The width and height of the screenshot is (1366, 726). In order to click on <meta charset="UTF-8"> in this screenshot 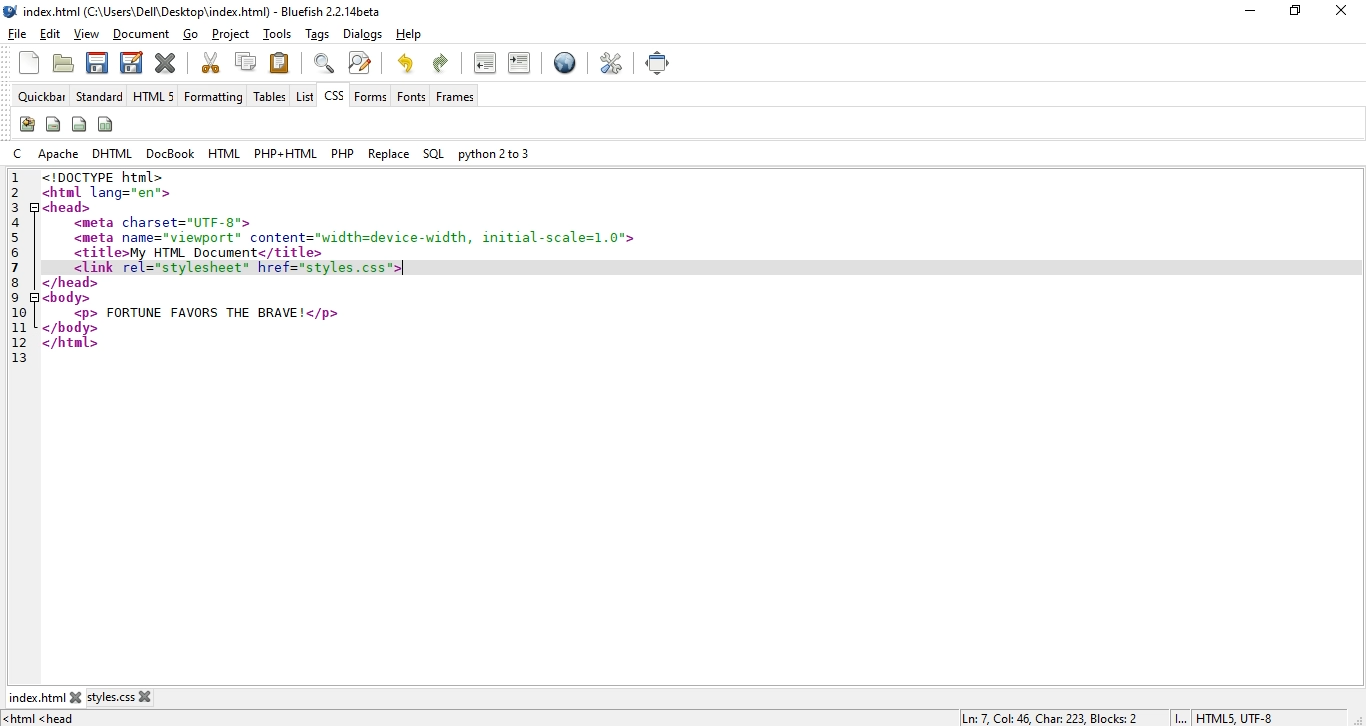, I will do `click(167, 223)`.